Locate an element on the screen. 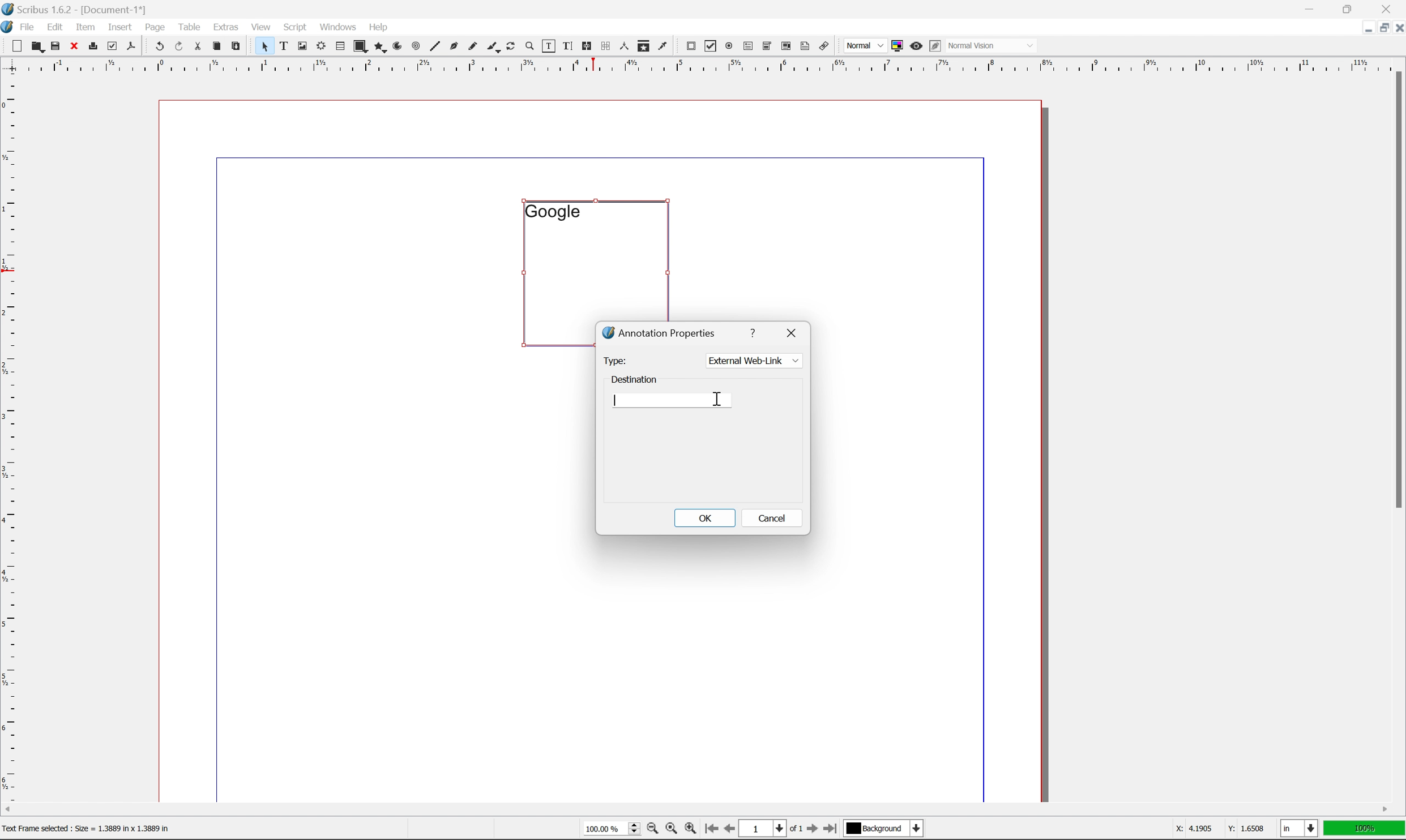  close is located at coordinates (794, 331).